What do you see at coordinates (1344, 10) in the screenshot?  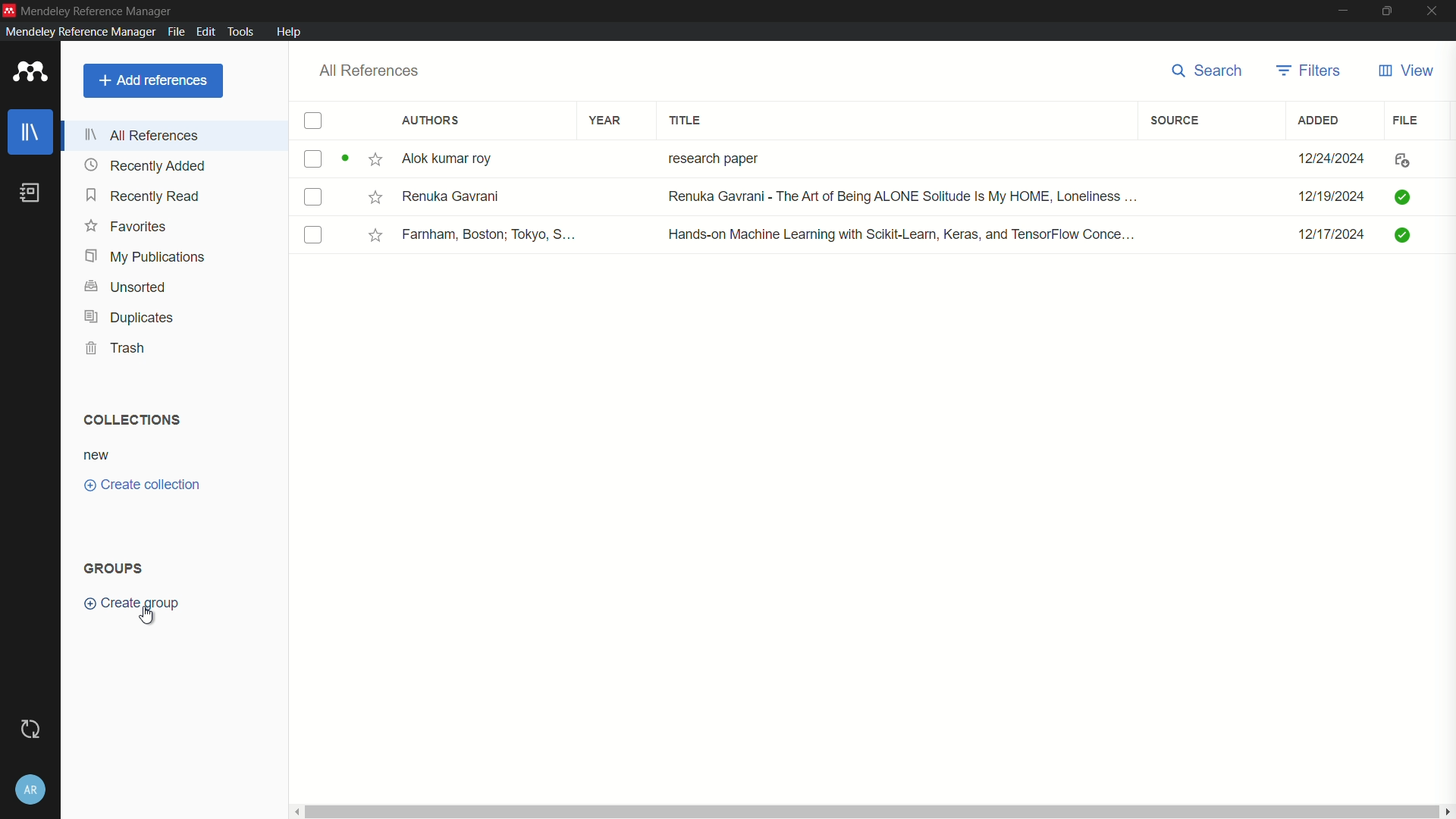 I see `minimize` at bounding box center [1344, 10].